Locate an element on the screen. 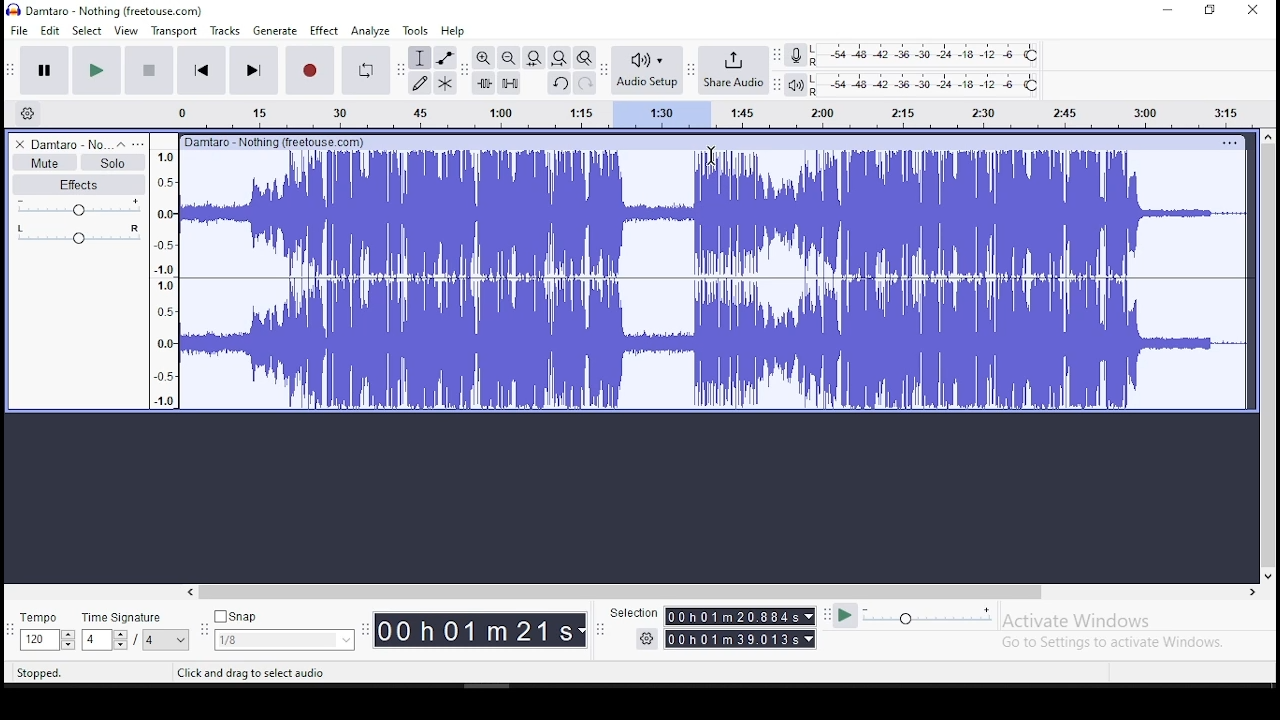 The width and height of the screenshot is (1280, 720). pan is located at coordinates (79, 234).